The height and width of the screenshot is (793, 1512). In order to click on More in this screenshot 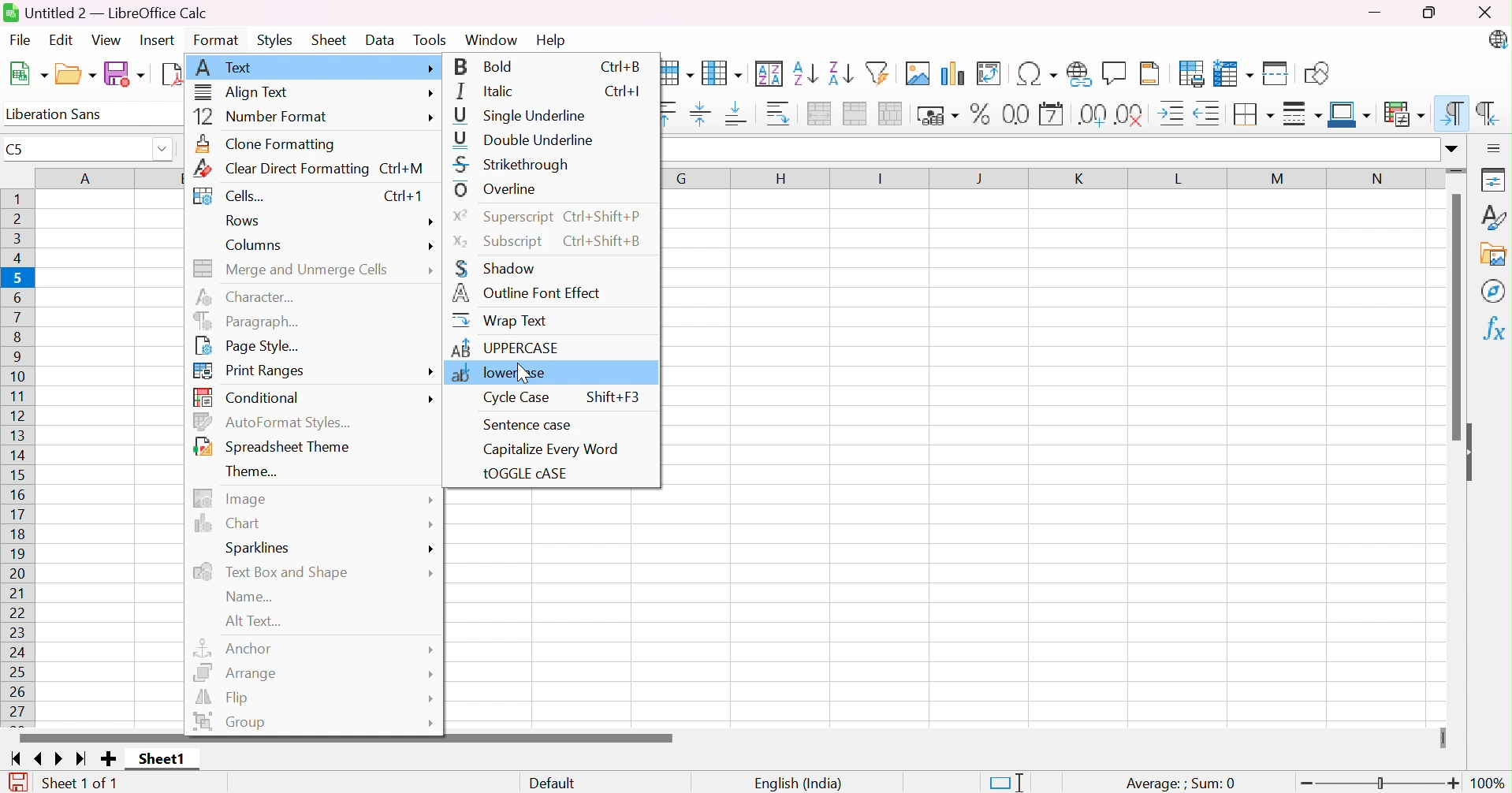, I will do `click(431, 275)`.